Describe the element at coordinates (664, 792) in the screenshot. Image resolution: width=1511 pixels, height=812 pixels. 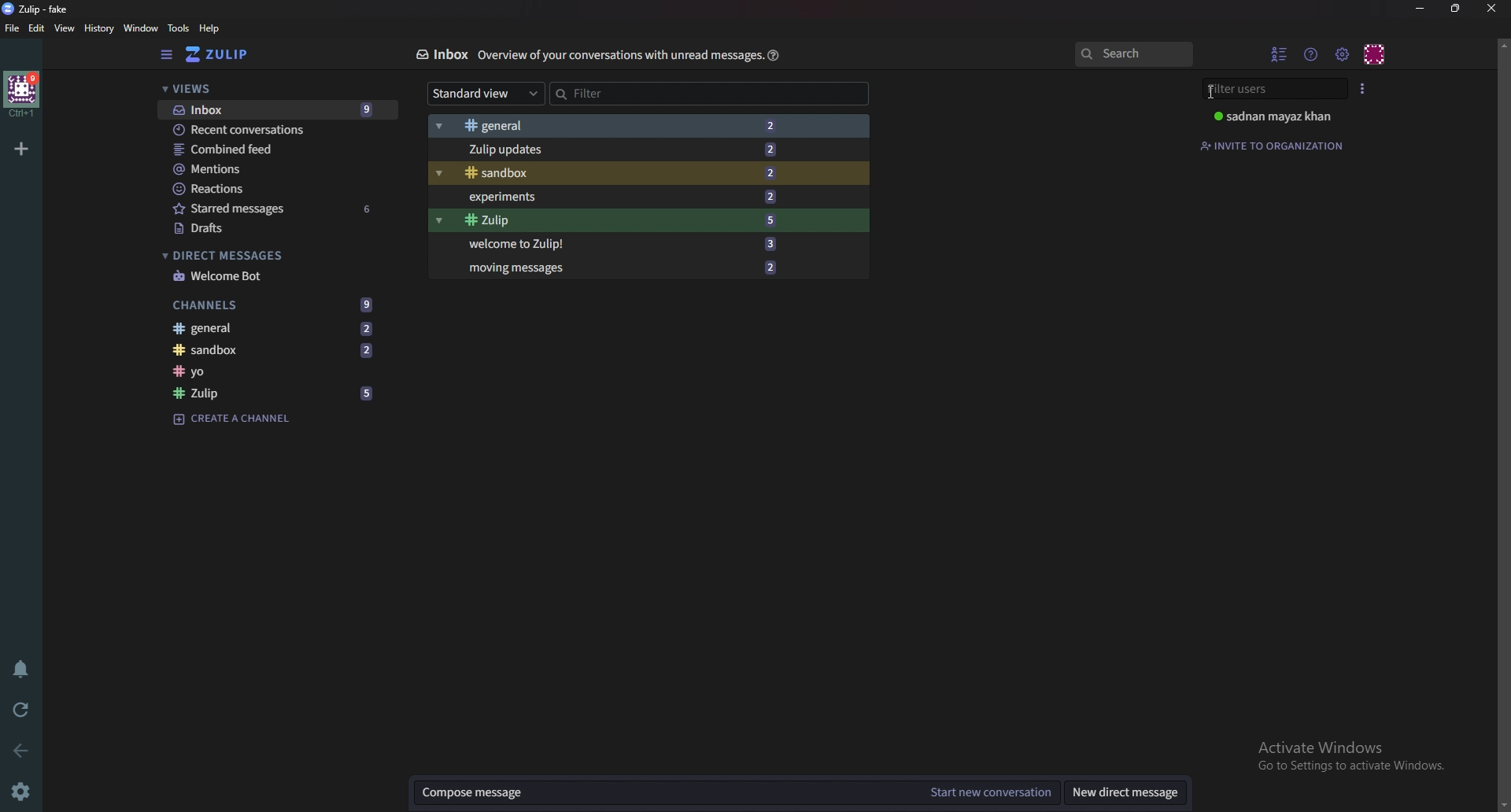
I see `Compose message` at that location.